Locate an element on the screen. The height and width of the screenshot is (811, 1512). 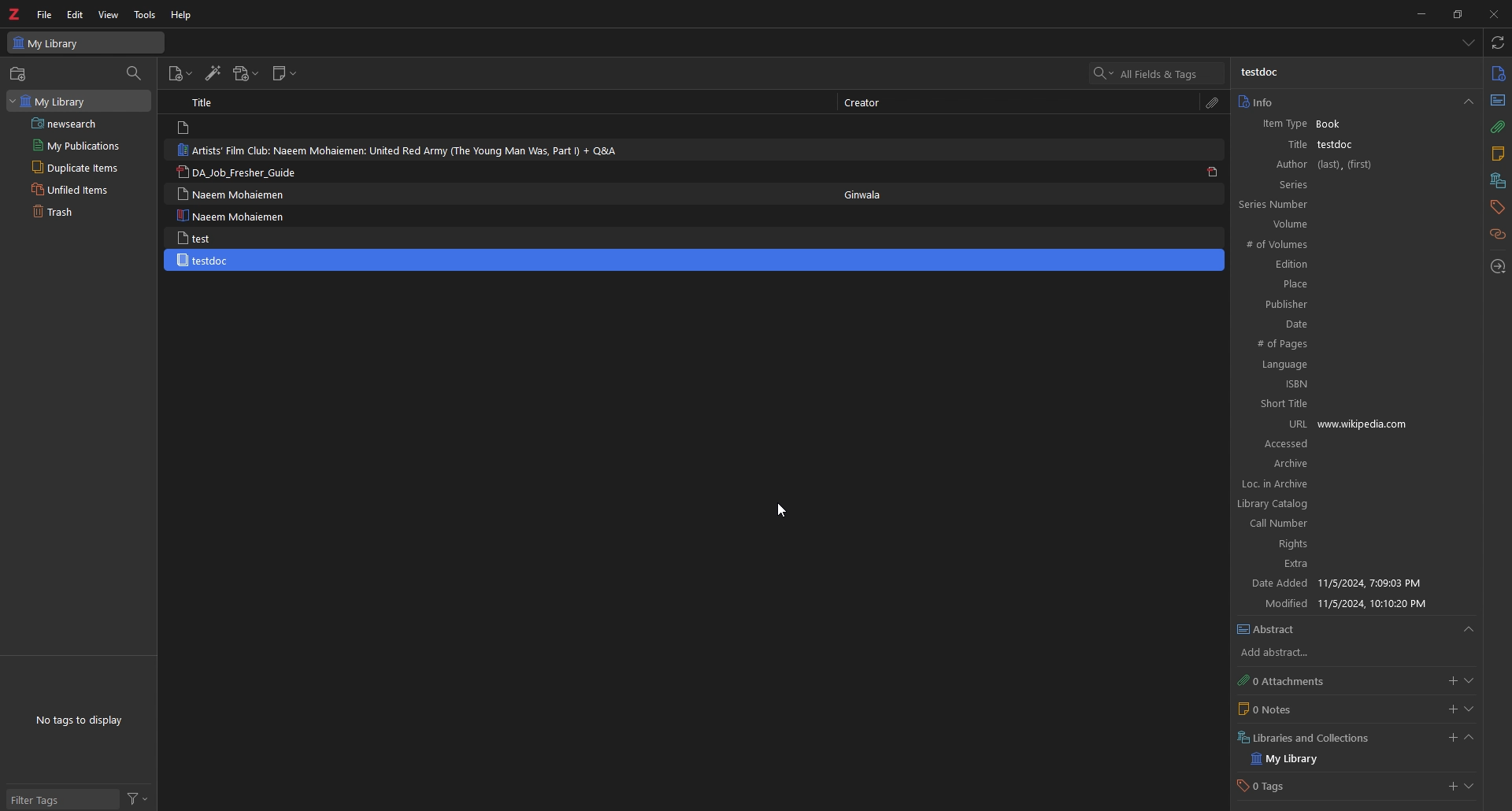
abstract is located at coordinates (1356, 630).